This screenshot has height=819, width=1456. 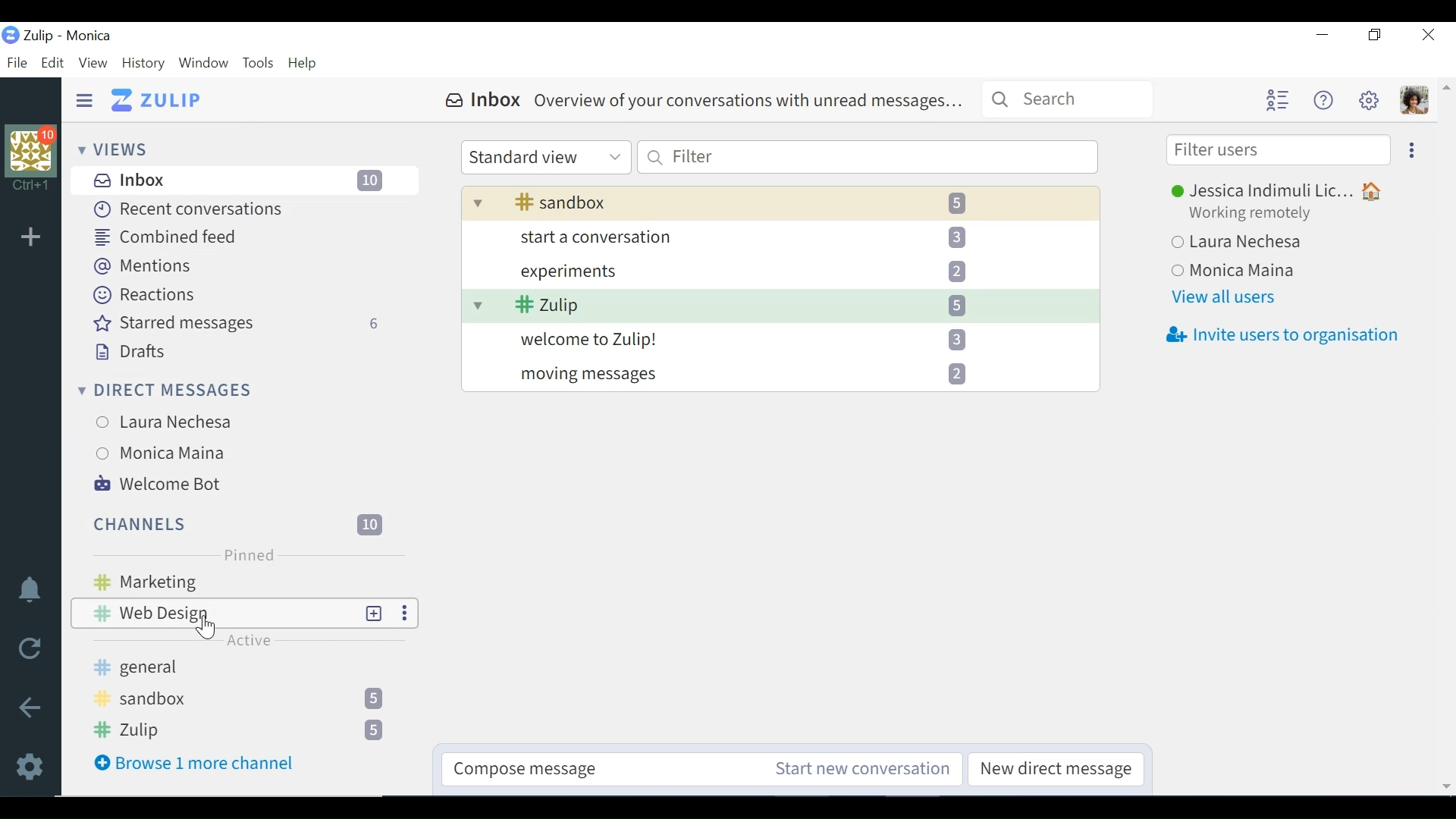 I want to click on Settings menu, so click(x=1369, y=99).